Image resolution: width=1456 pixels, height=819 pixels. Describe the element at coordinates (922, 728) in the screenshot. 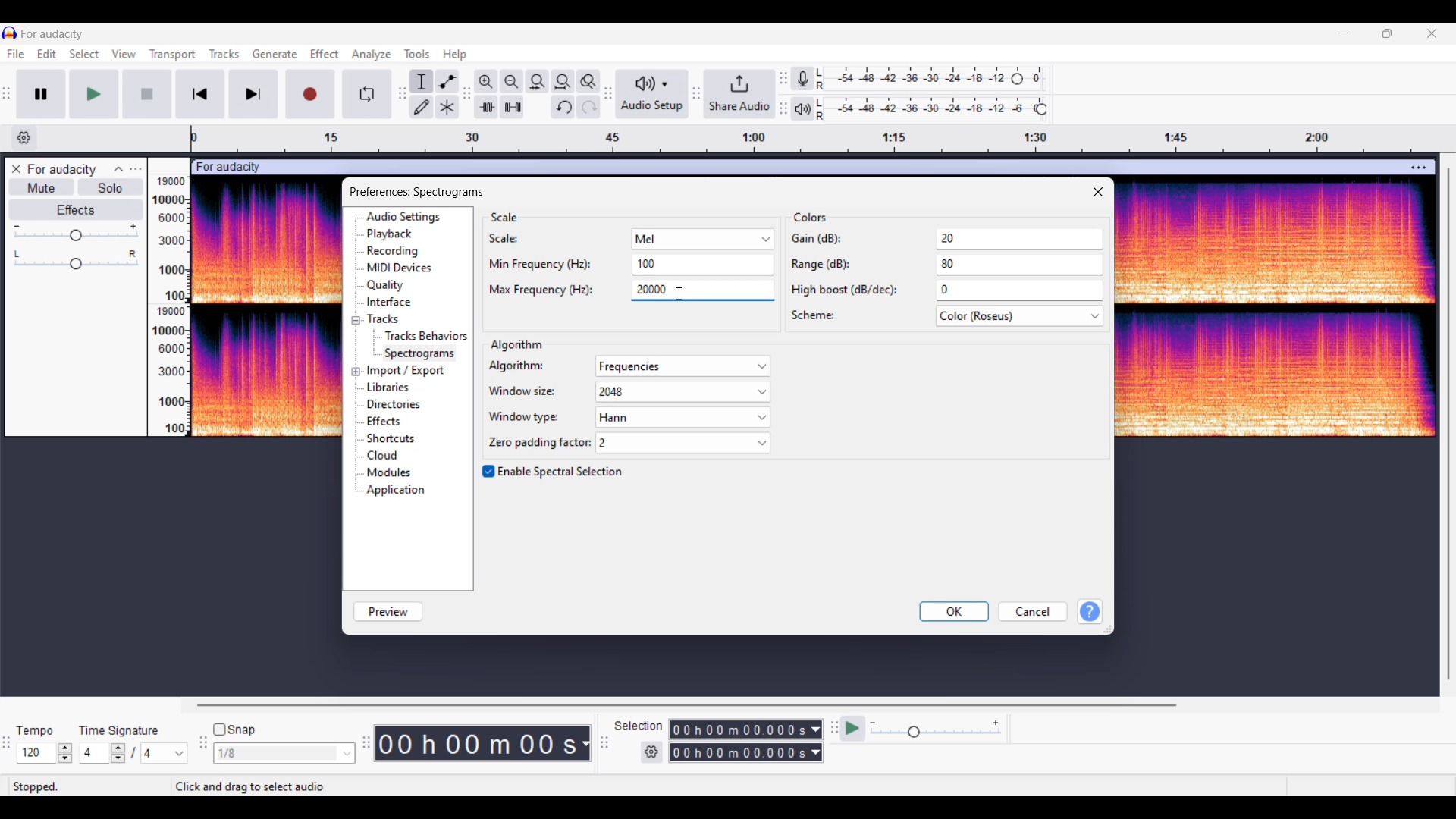

I see `Playback speed settings ` at that location.